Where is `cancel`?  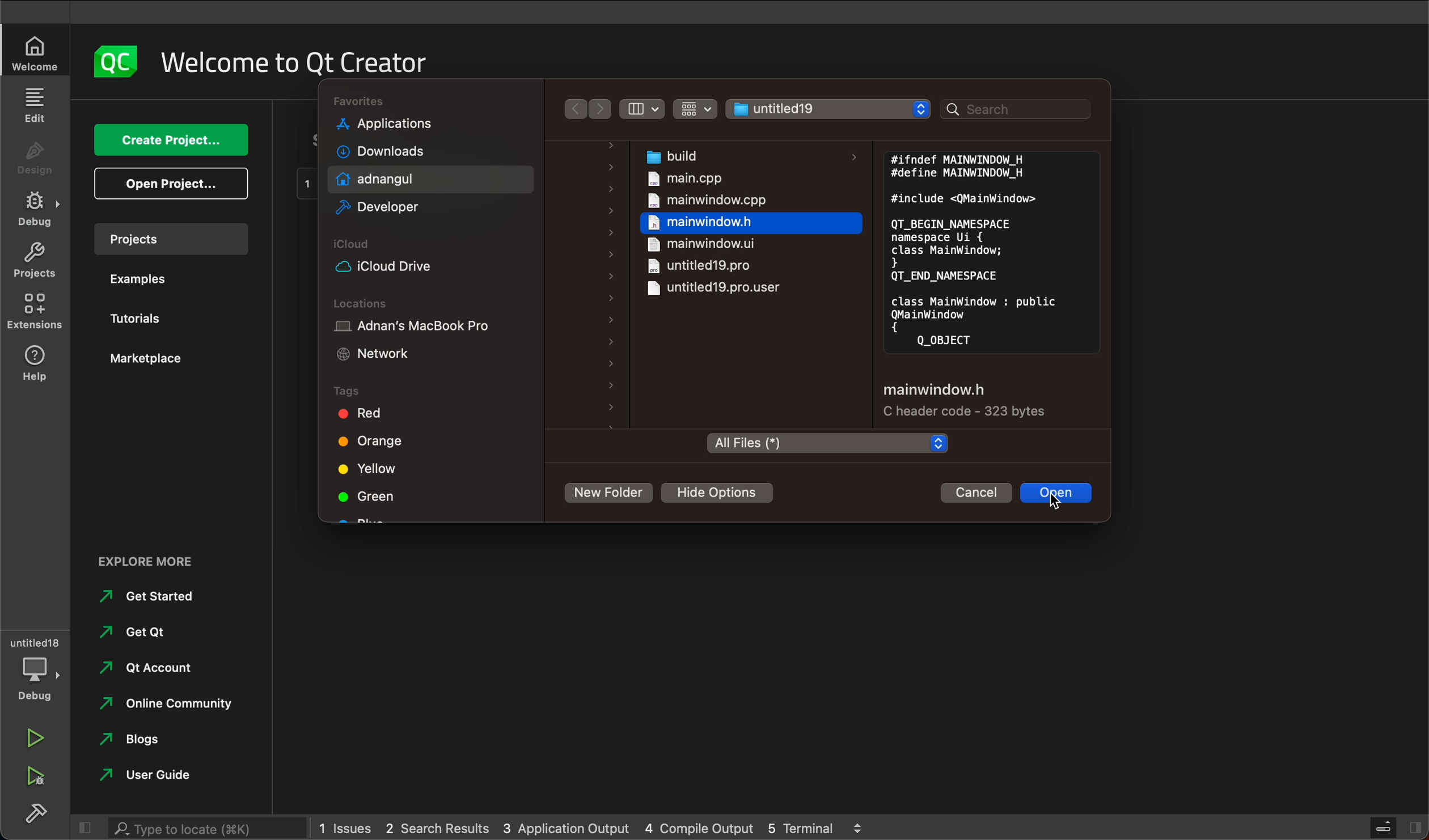 cancel is located at coordinates (978, 493).